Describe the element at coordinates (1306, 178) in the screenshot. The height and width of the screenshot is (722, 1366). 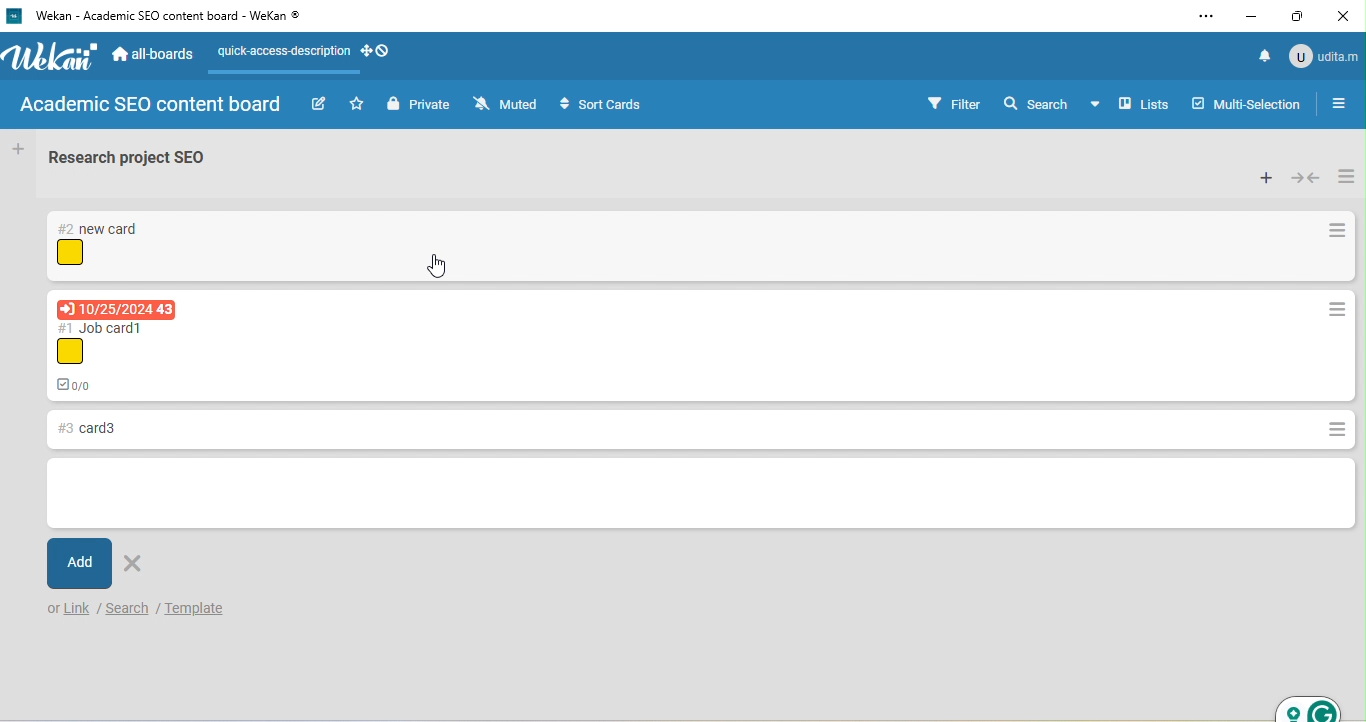
I see `collapse` at that location.